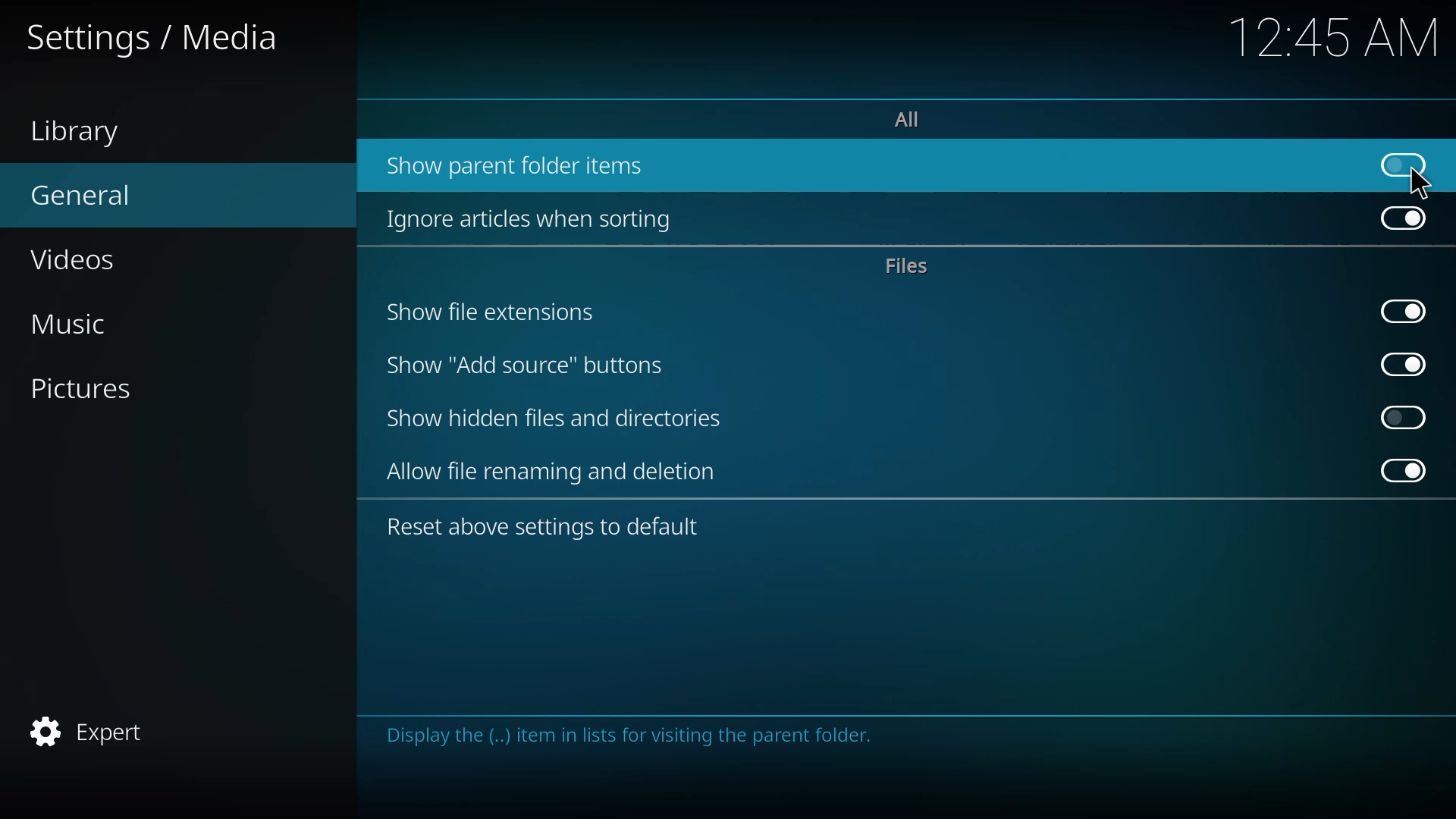 Image resolution: width=1456 pixels, height=819 pixels. Describe the element at coordinates (153, 37) in the screenshot. I see `settings media` at that location.